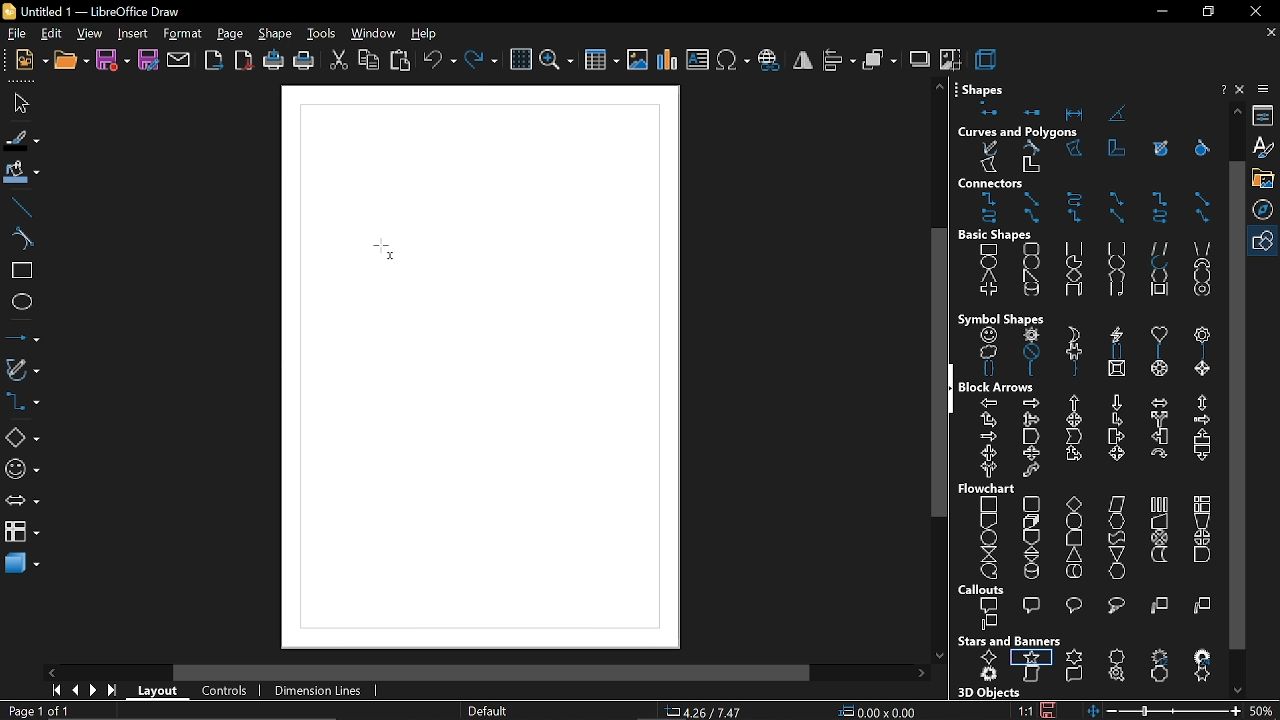 The height and width of the screenshot is (720, 1280). Describe the element at coordinates (320, 34) in the screenshot. I see `tools` at that location.